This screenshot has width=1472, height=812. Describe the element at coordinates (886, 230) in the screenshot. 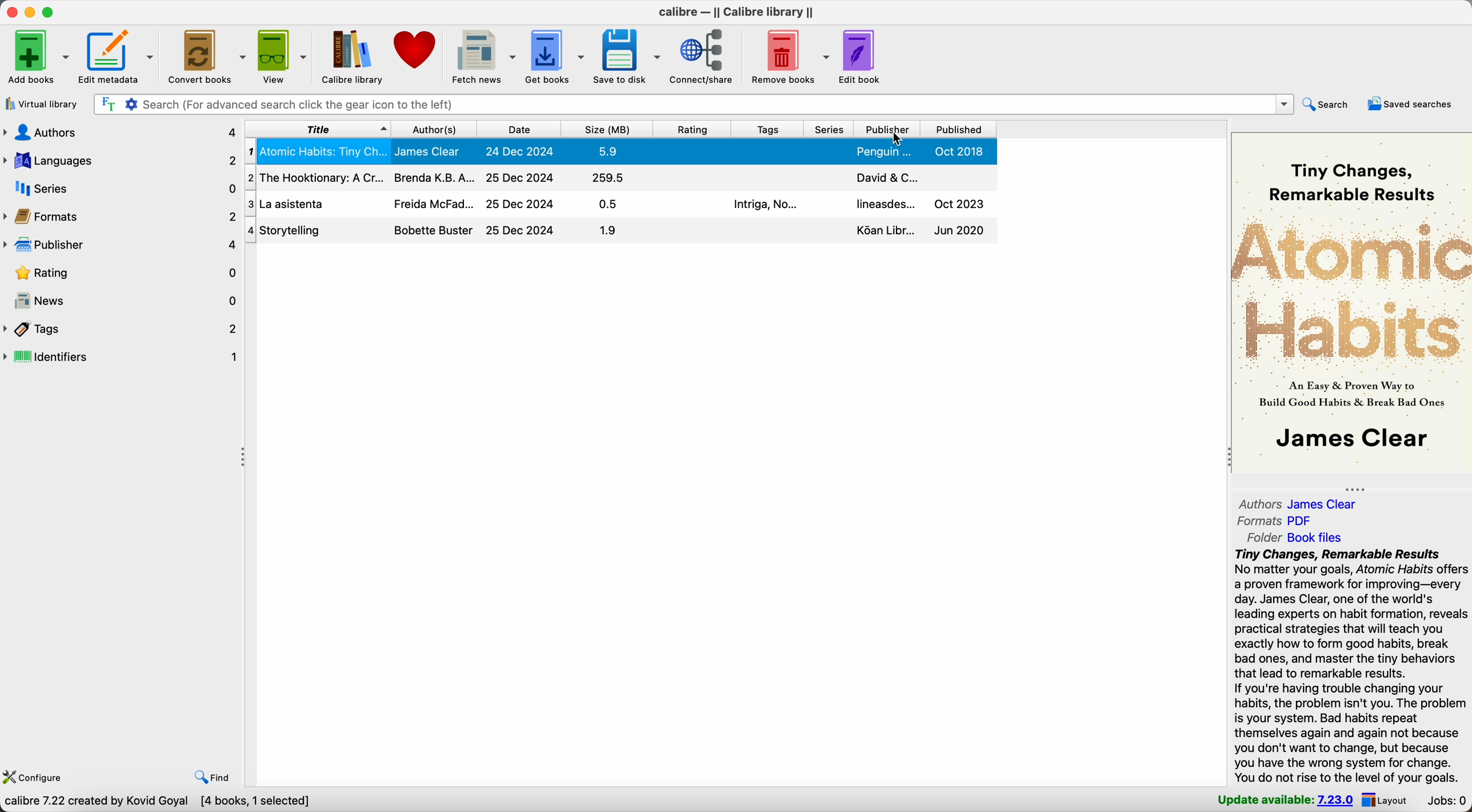

I see `Koan libr` at that location.